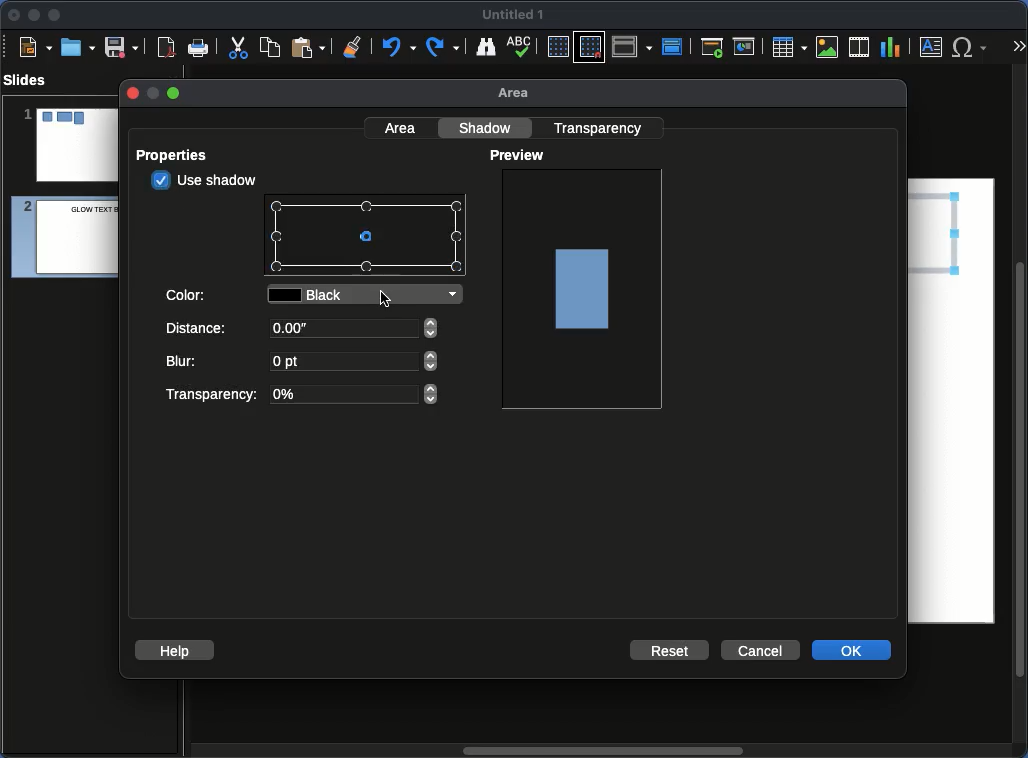 The image size is (1028, 758). What do you see at coordinates (78, 46) in the screenshot?
I see `Ope` at bounding box center [78, 46].